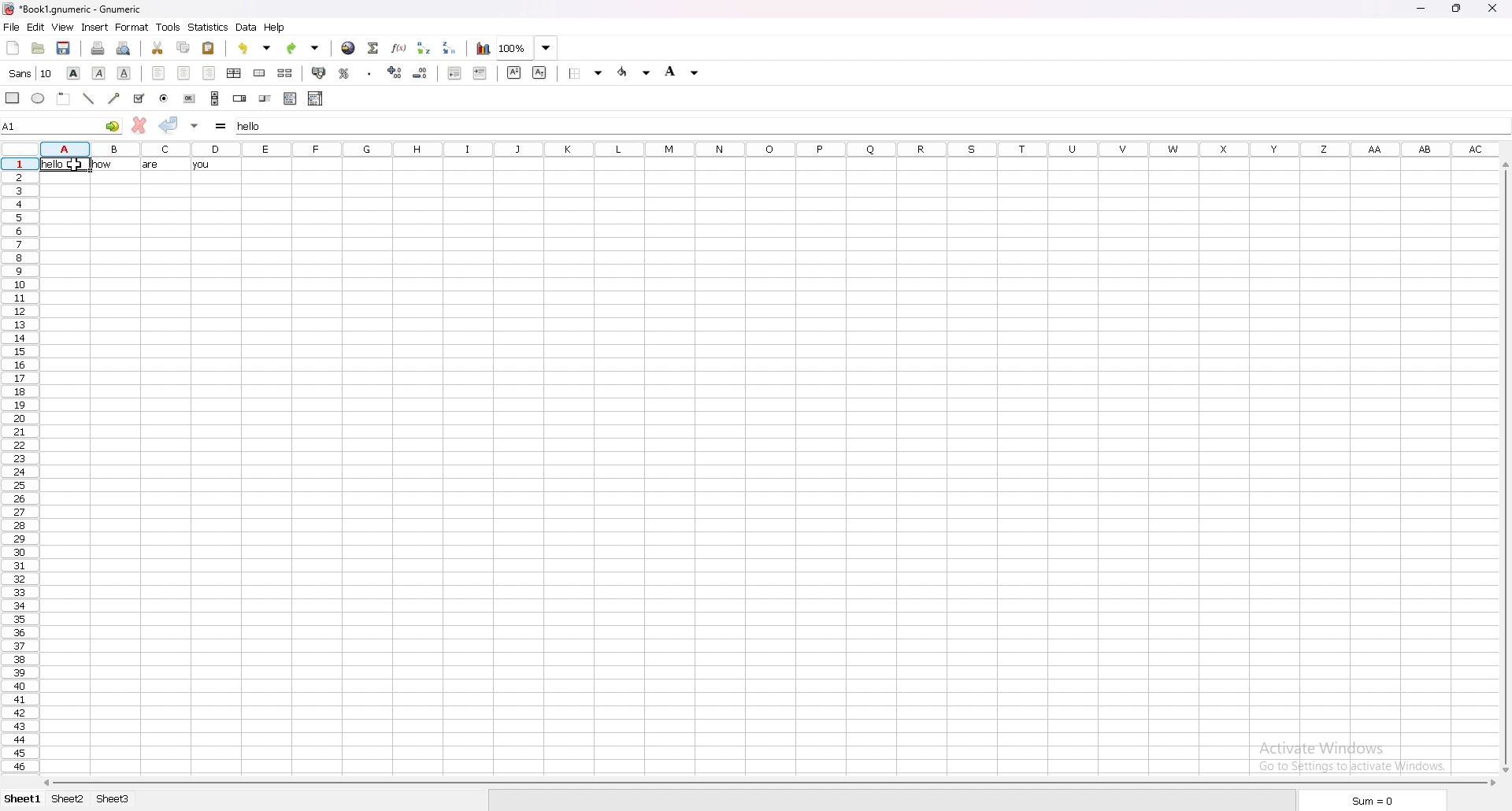 This screenshot has width=1512, height=811. I want to click on file, so click(12, 27).